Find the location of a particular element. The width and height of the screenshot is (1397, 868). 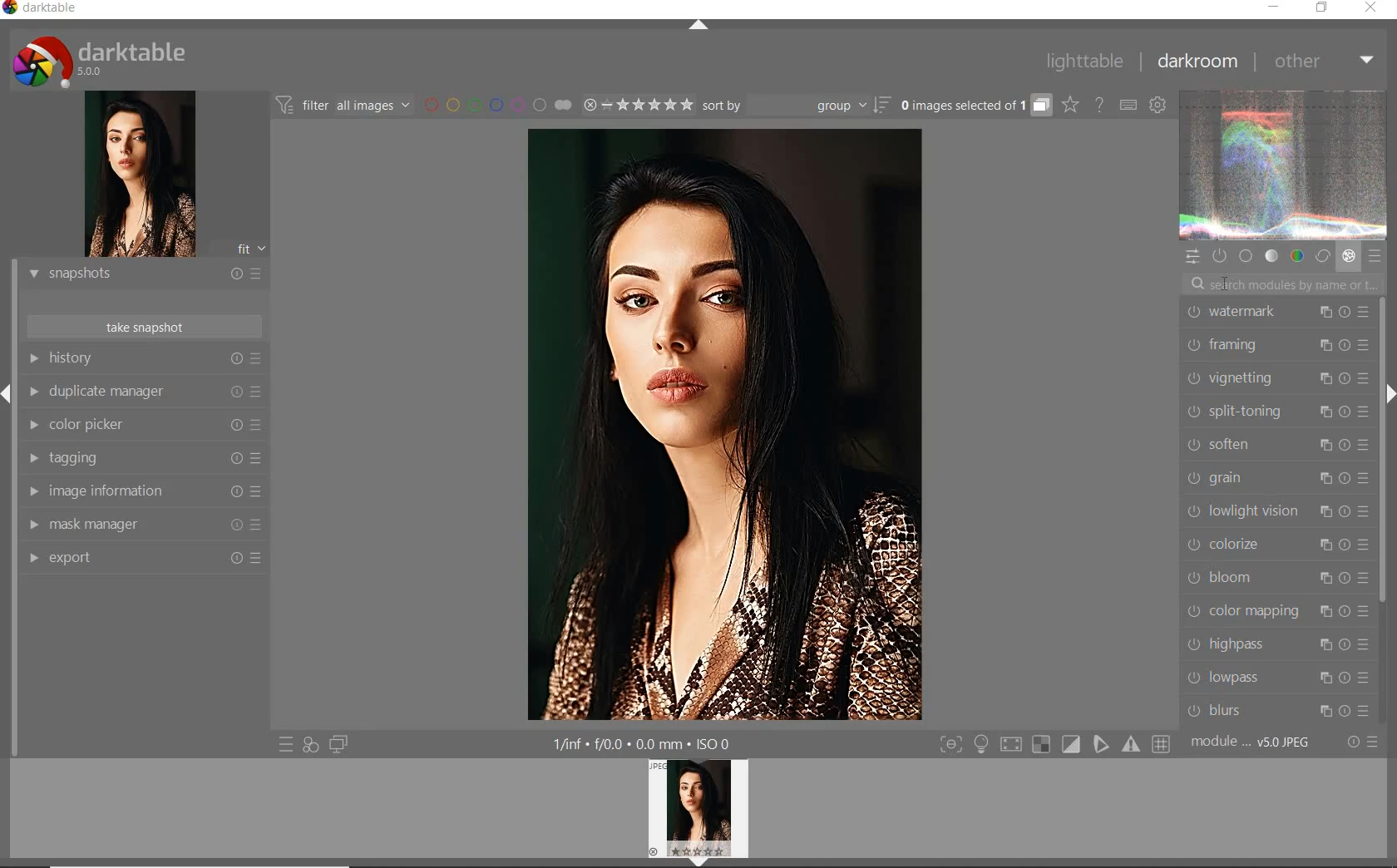

TAGGING is located at coordinates (141, 459).